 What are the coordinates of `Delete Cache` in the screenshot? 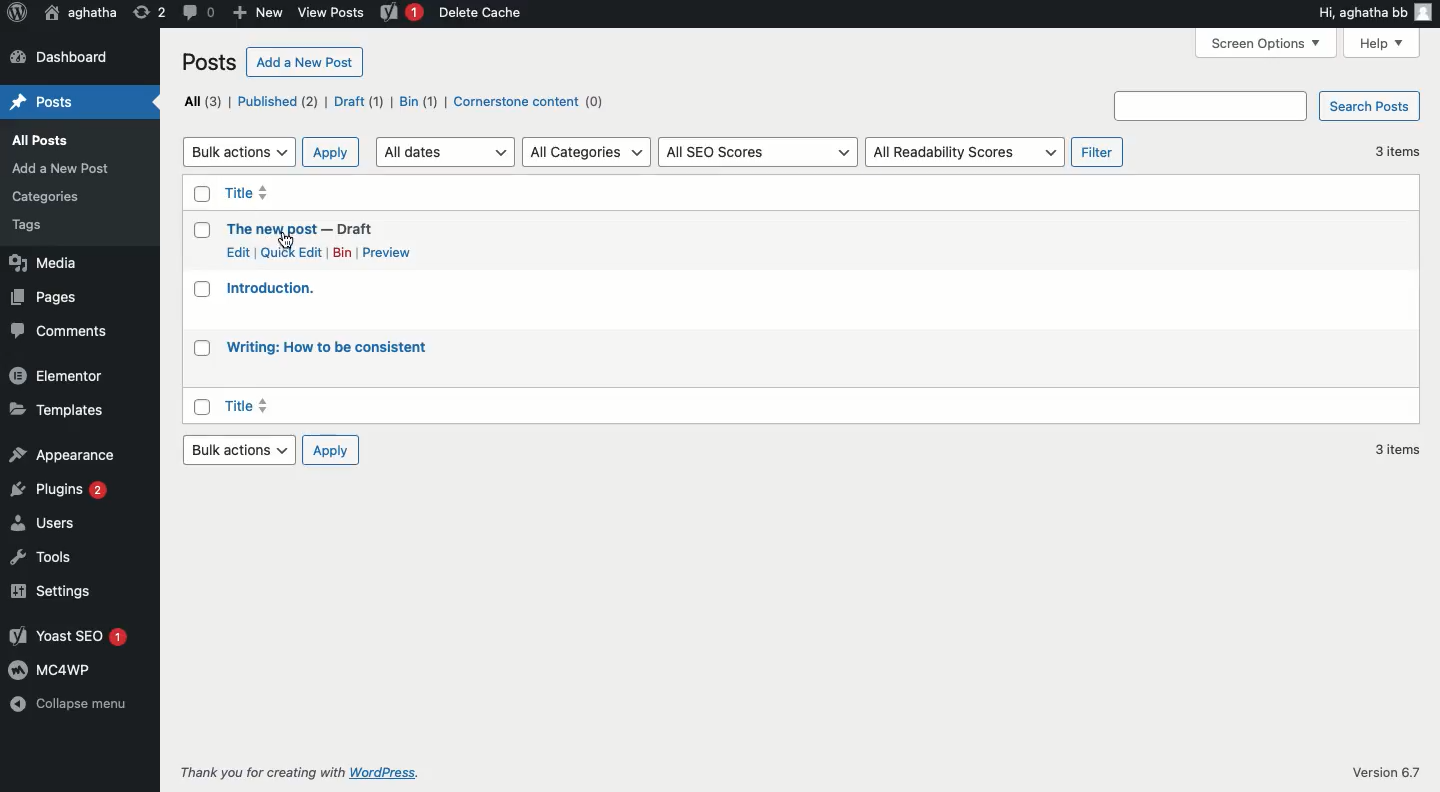 It's located at (488, 12).